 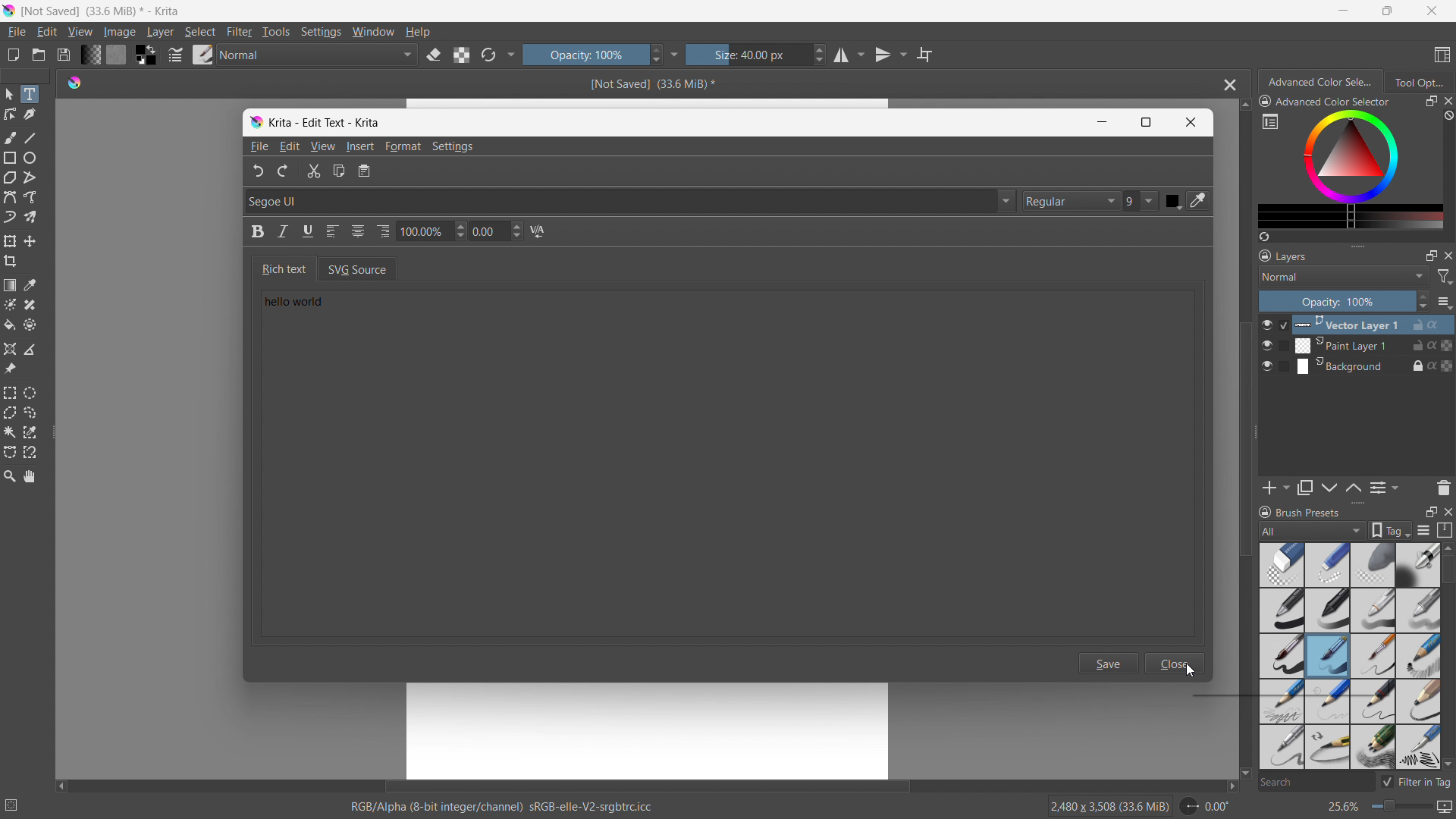 I want to click on bezier curve selection tool, so click(x=10, y=453).